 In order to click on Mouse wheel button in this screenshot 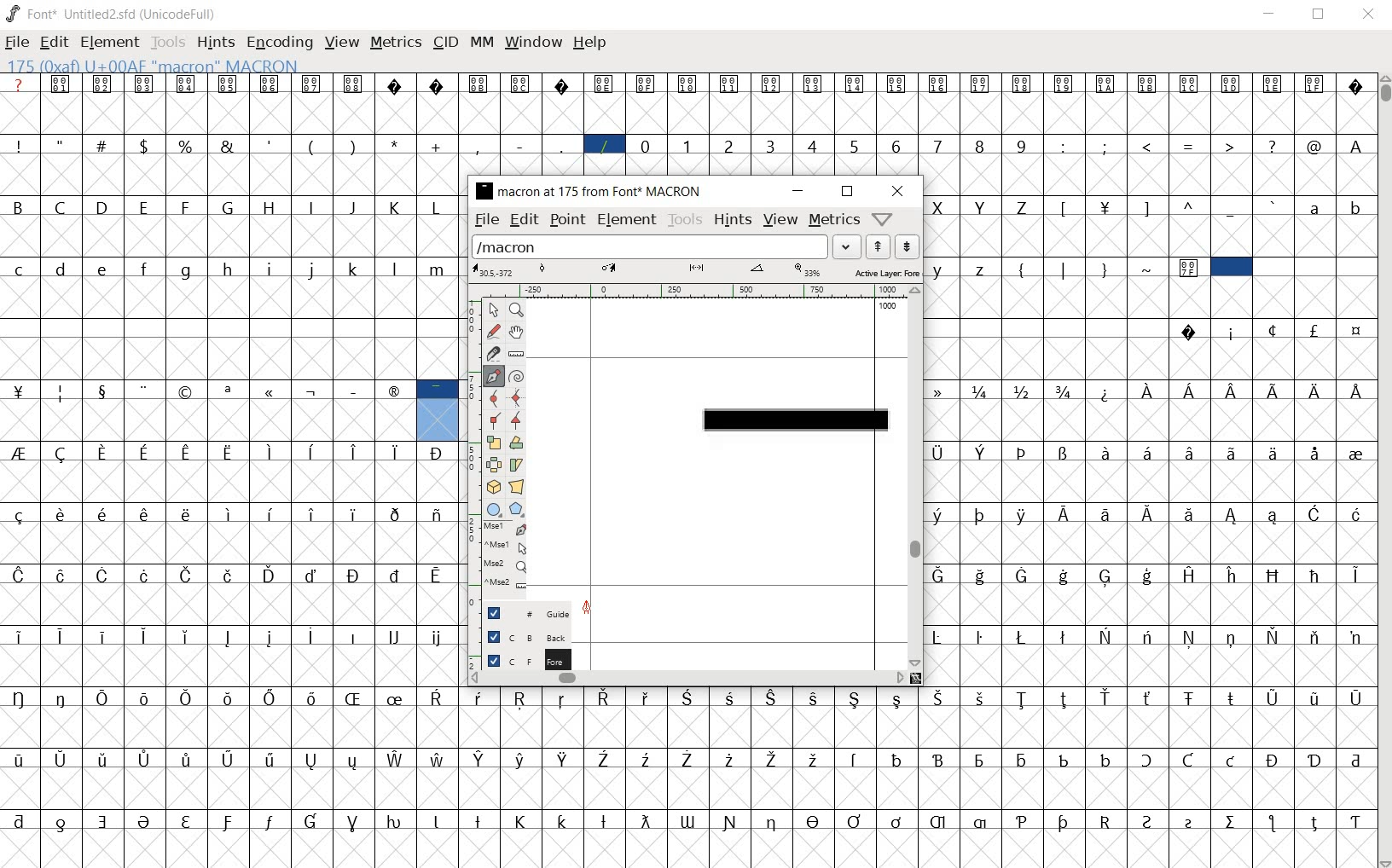, I will do `click(510, 567)`.